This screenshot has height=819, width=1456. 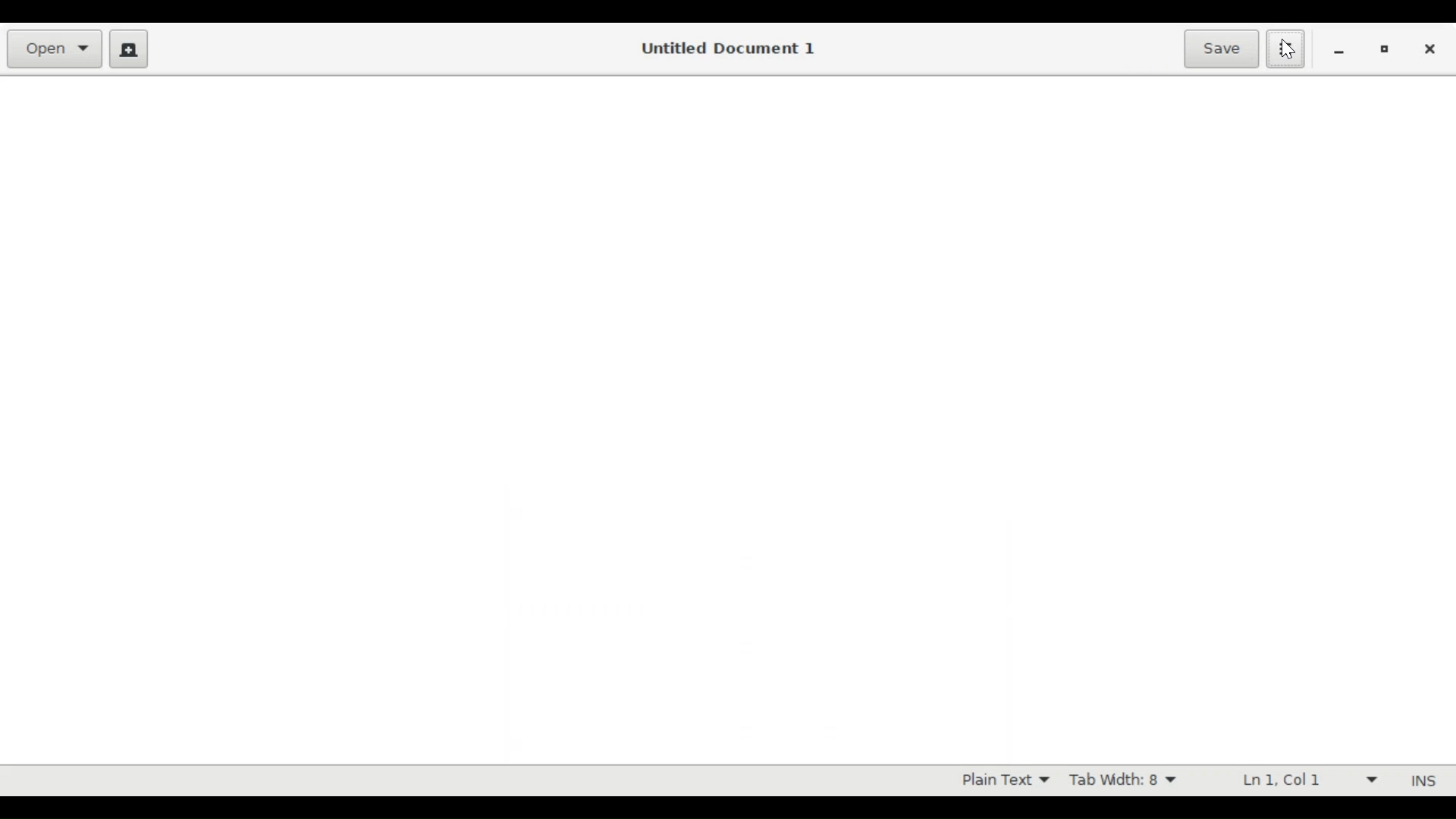 What do you see at coordinates (1002, 779) in the screenshot?
I see `Highlight mode` at bounding box center [1002, 779].